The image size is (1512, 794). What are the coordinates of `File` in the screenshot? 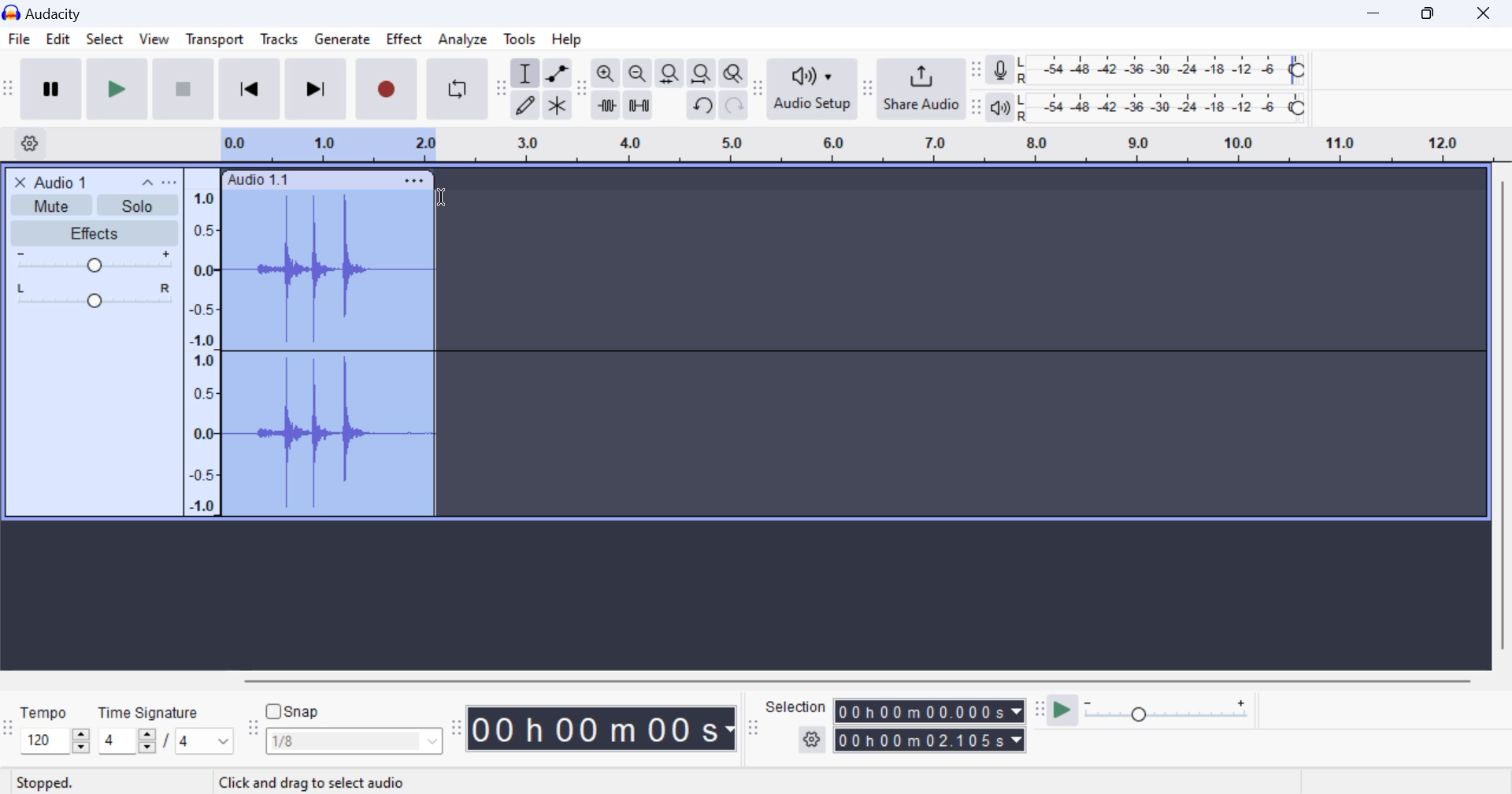 It's located at (18, 39).